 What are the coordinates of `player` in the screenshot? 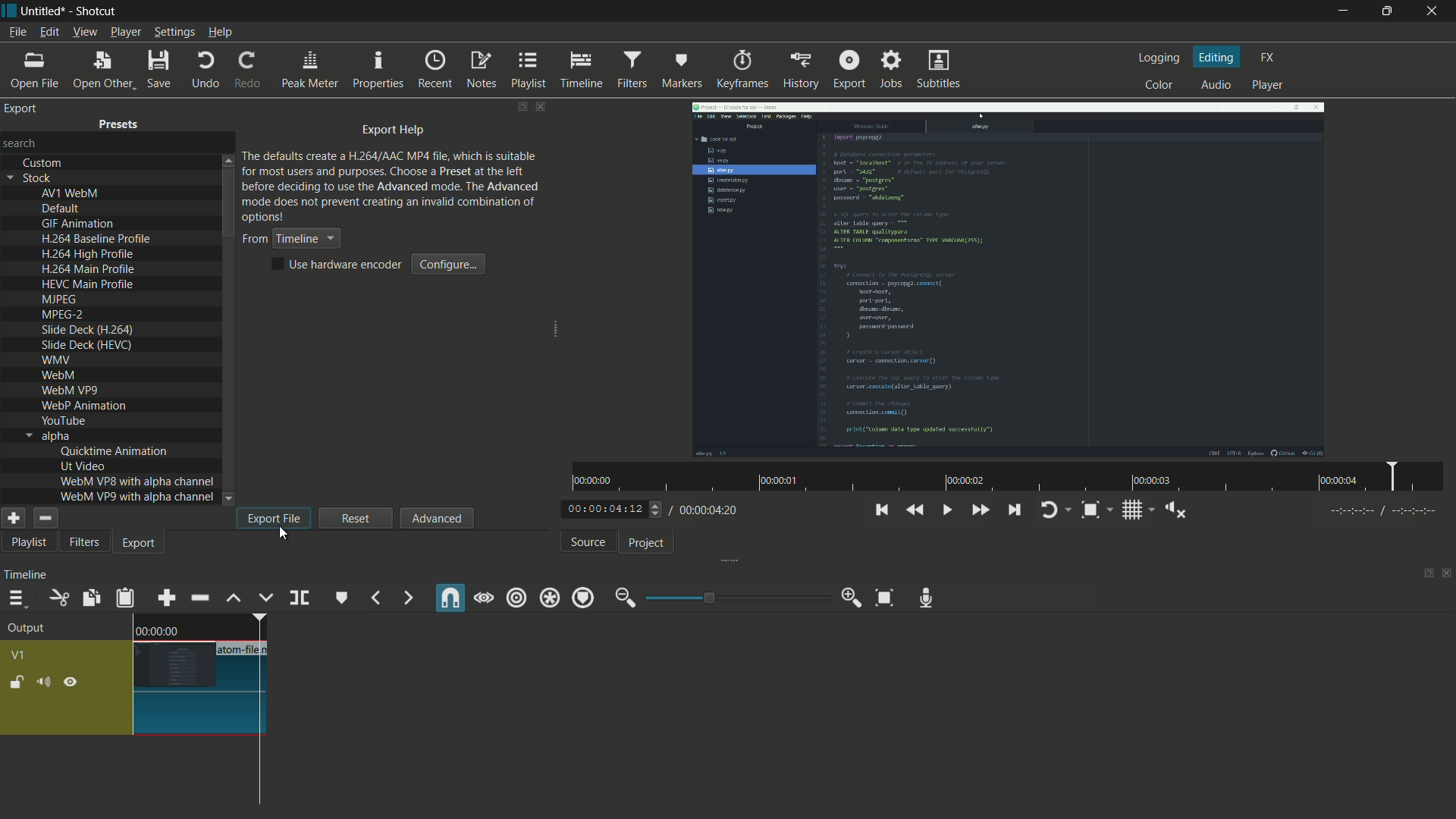 It's located at (1268, 85).